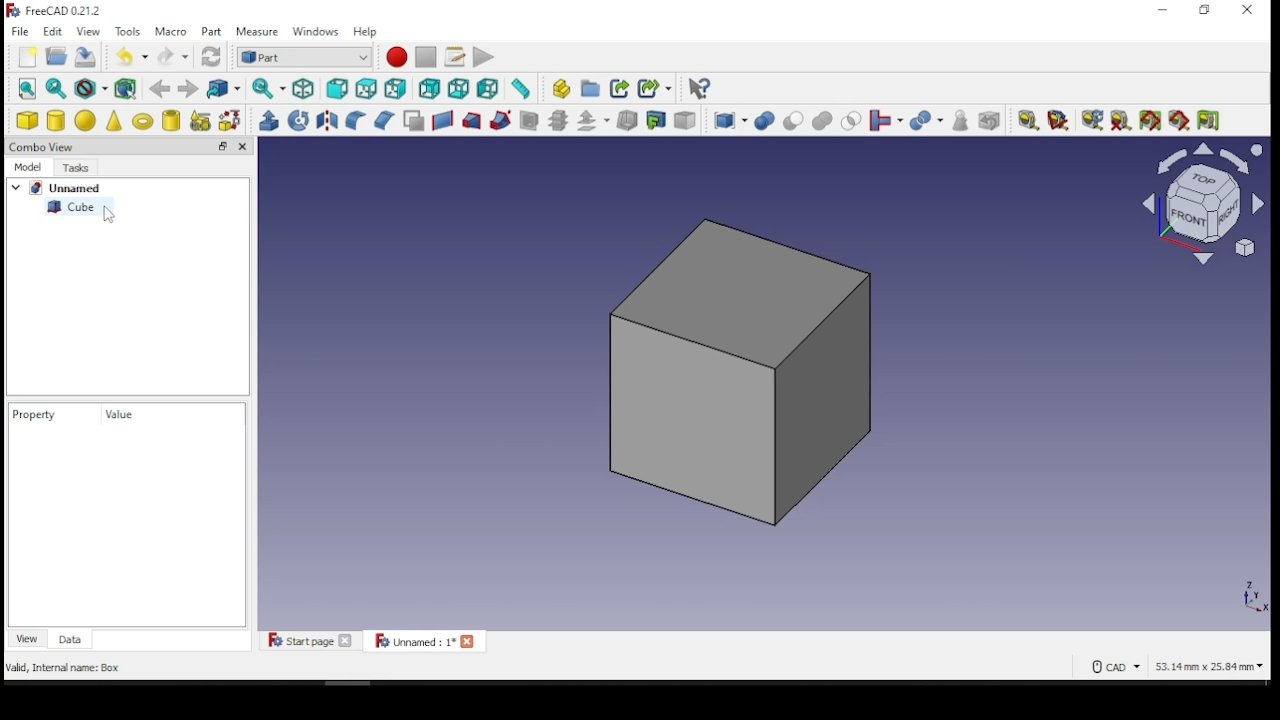  I want to click on front, so click(337, 91).